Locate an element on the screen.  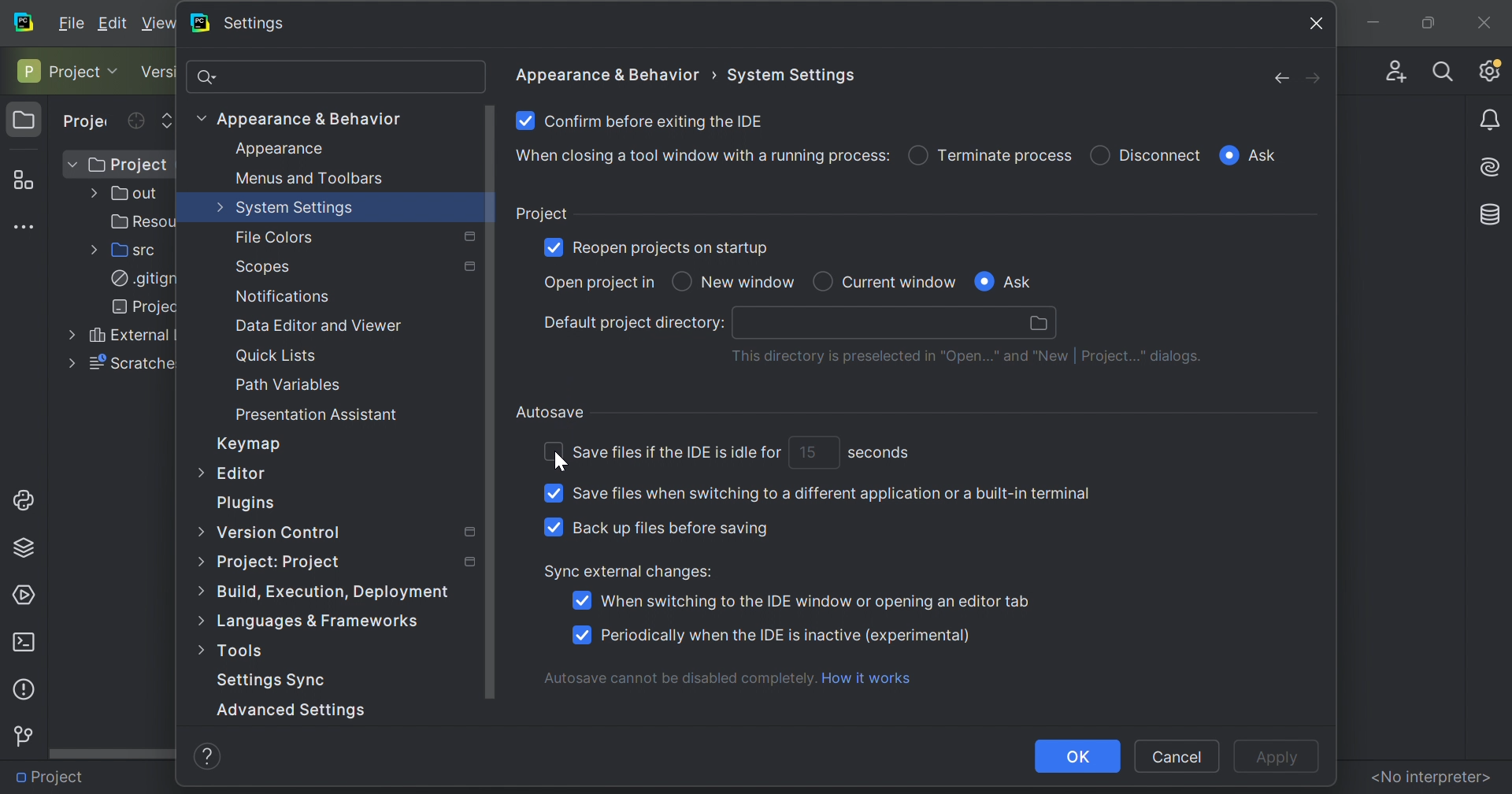
Close is located at coordinates (1484, 19).